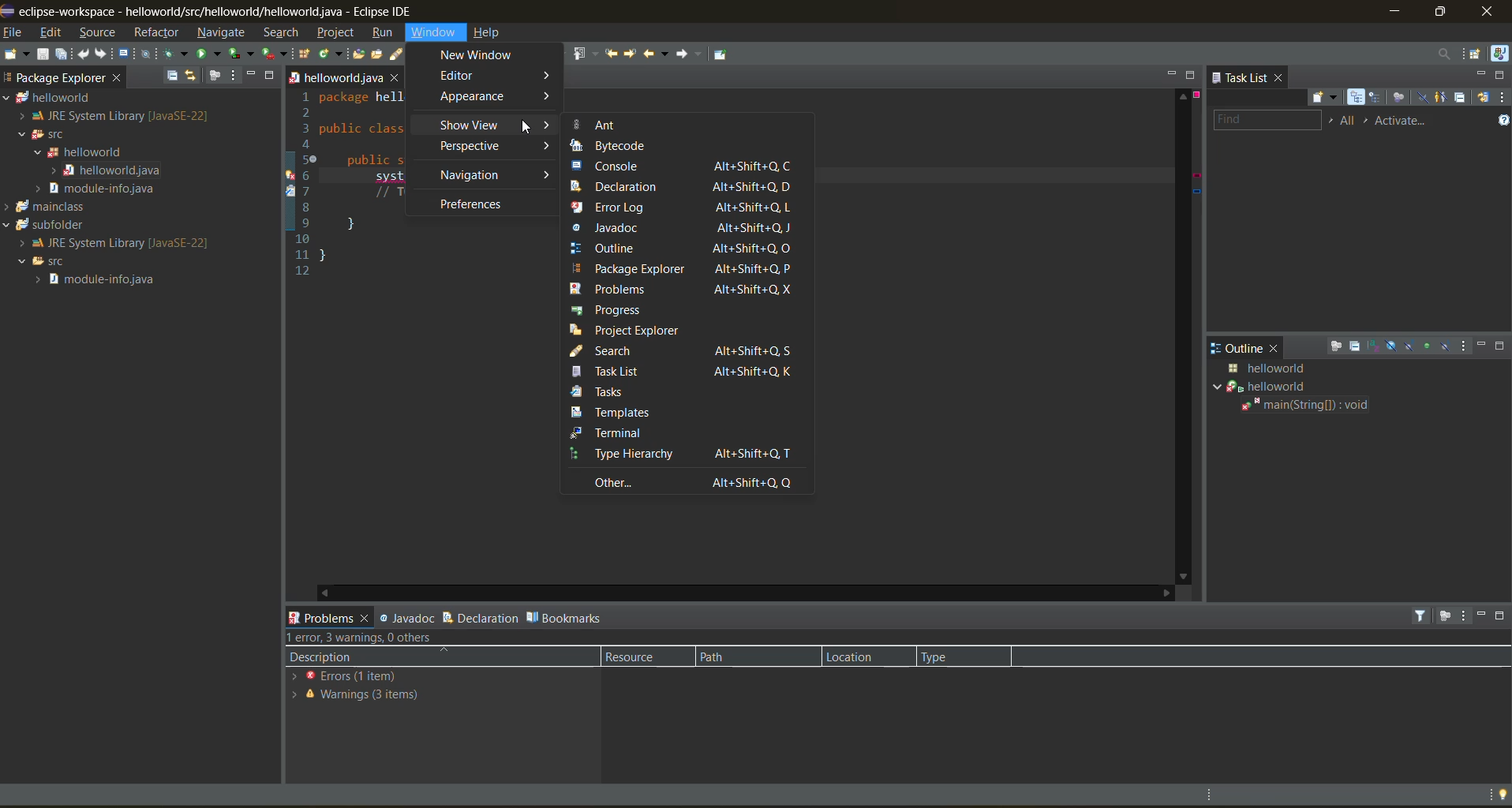 The height and width of the screenshot is (808, 1512). Describe the element at coordinates (1421, 615) in the screenshot. I see `filters` at that location.